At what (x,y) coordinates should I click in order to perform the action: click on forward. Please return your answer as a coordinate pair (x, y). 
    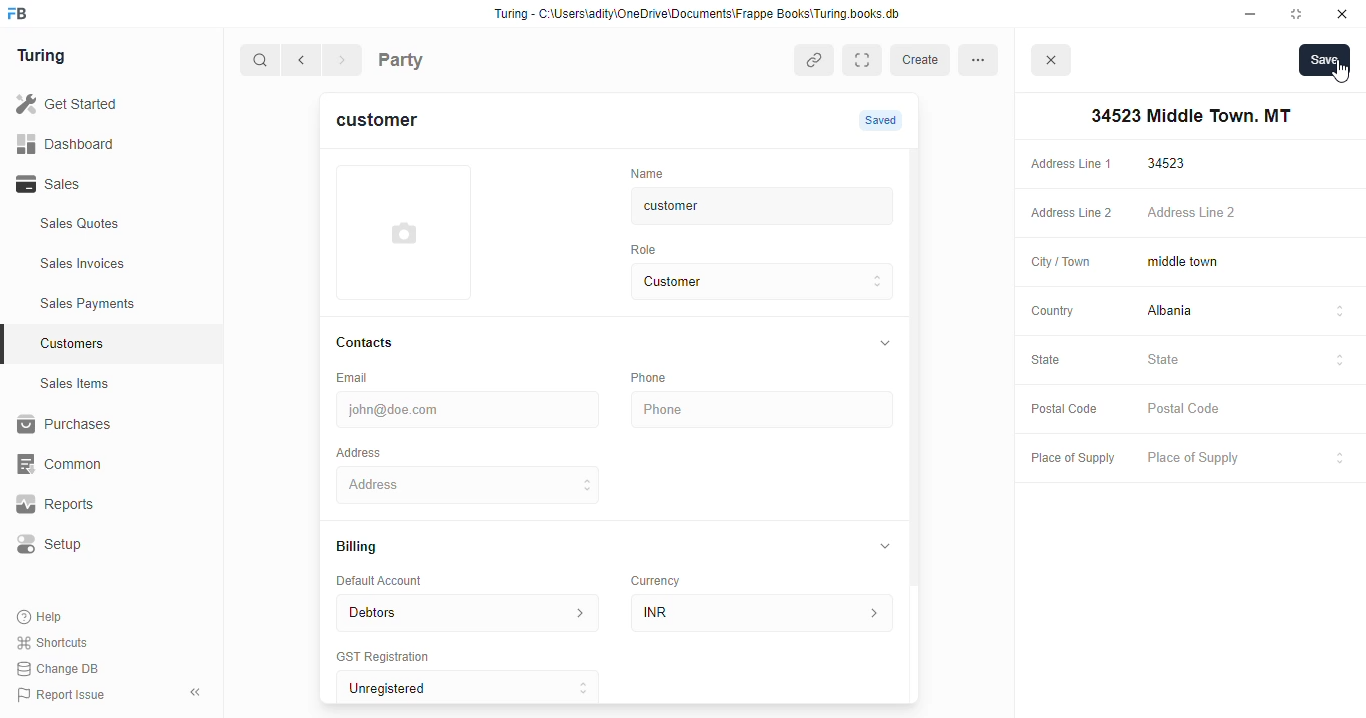
    Looking at the image, I should click on (344, 62).